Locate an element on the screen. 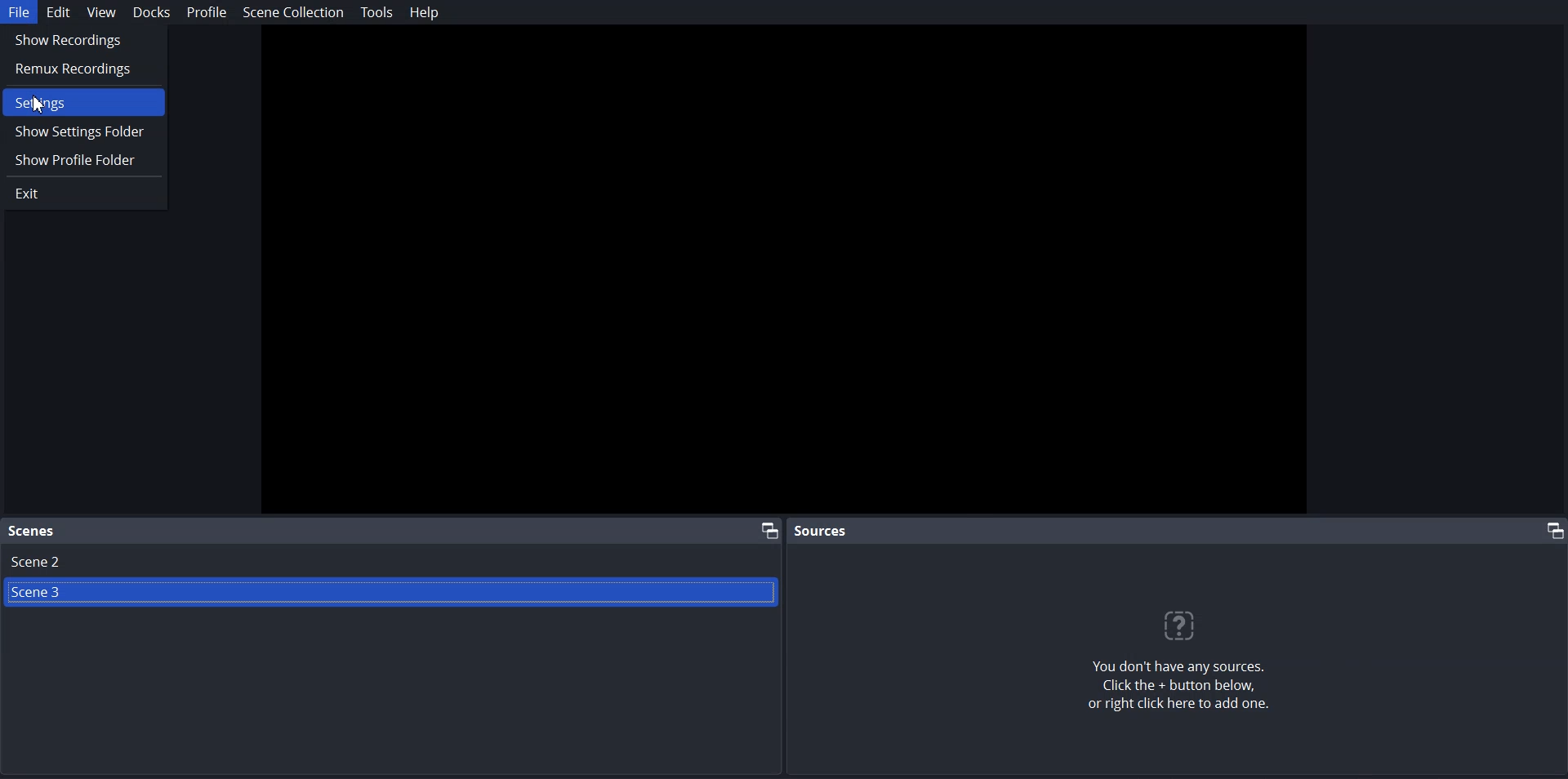 Image resolution: width=1568 pixels, height=779 pixels. Docks is located at coordinates (151, 12).